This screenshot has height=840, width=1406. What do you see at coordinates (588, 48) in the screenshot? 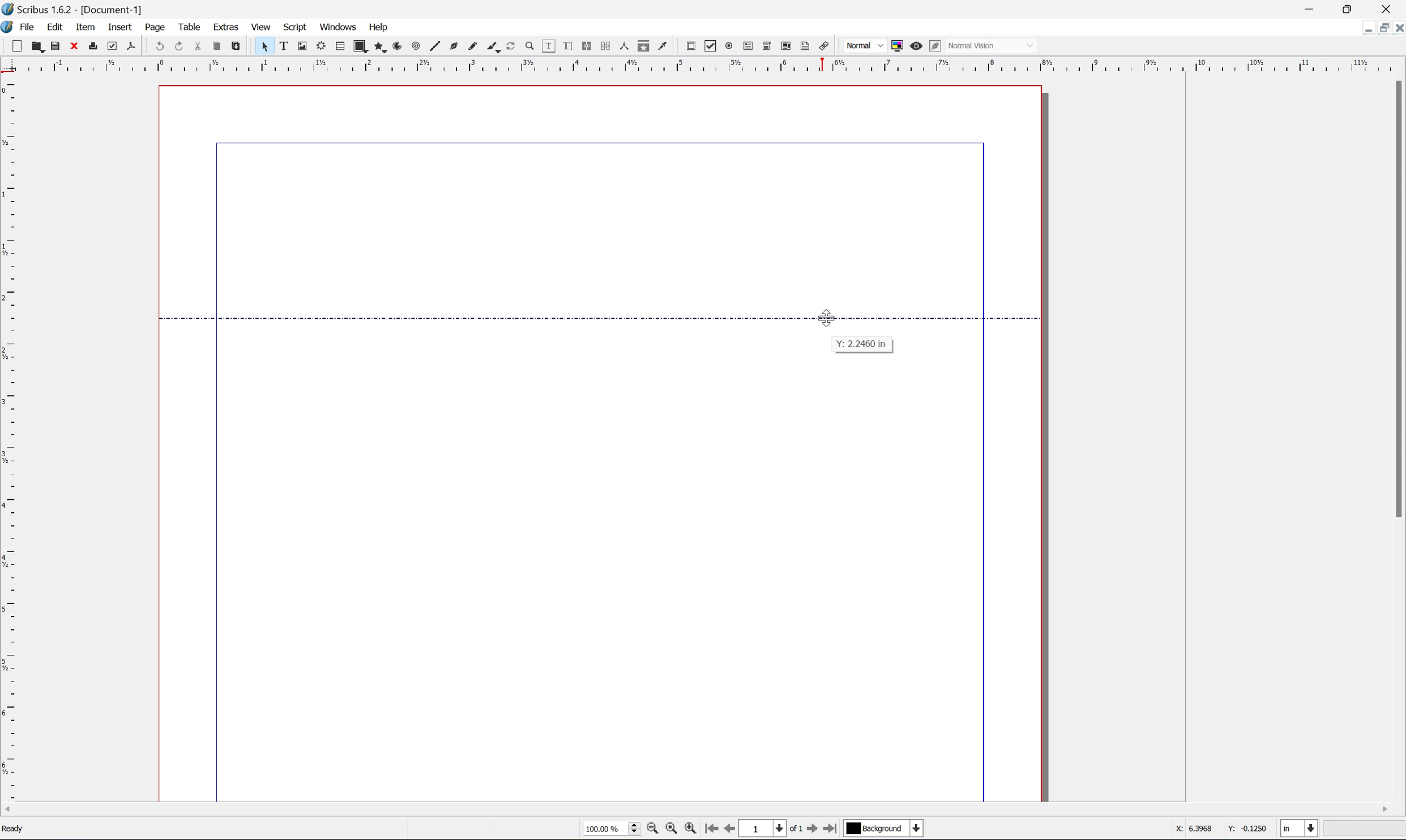
I see `link text frames` at bounding box center [588, 48].